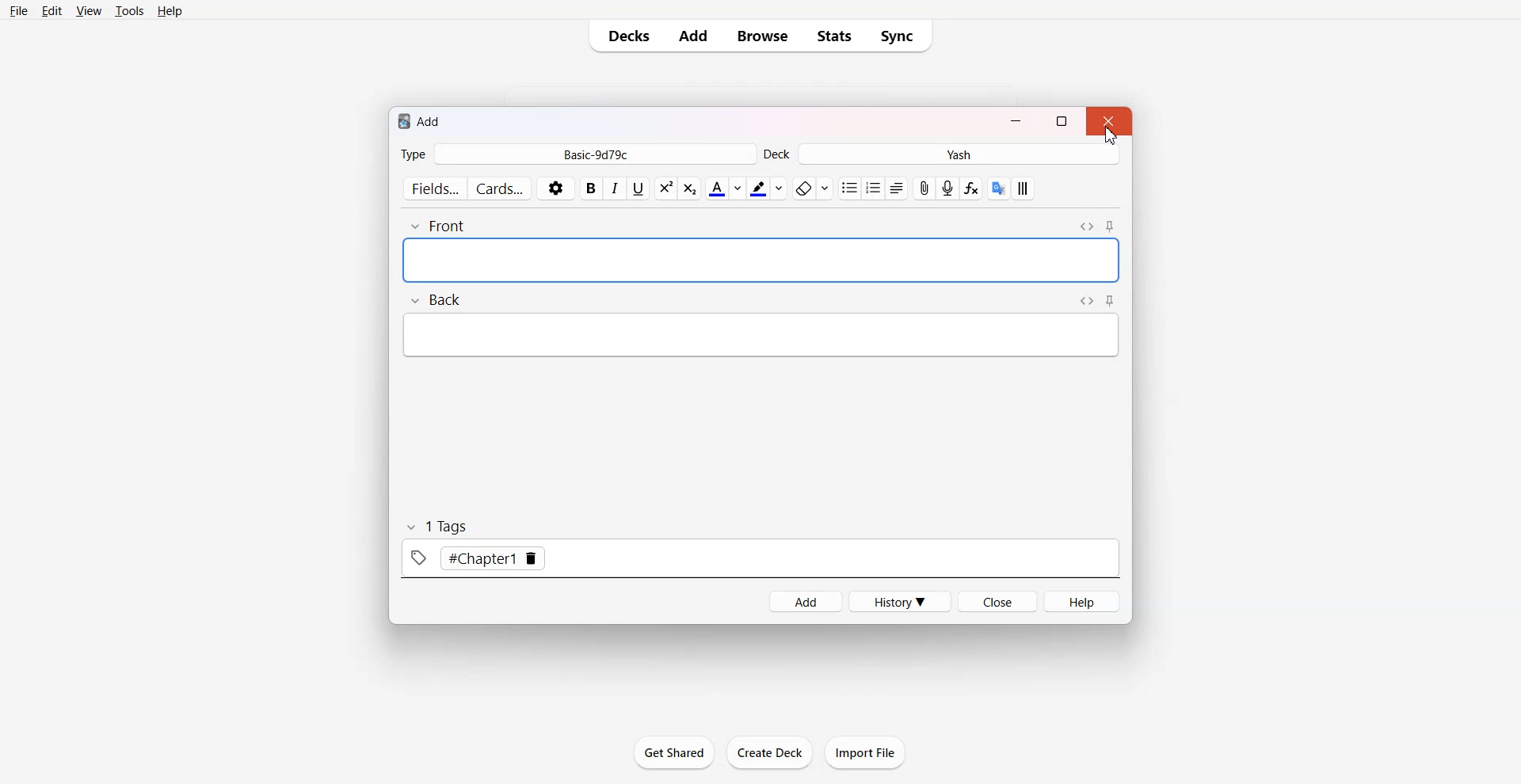  I want to click on Attach File, so click(925, 188).